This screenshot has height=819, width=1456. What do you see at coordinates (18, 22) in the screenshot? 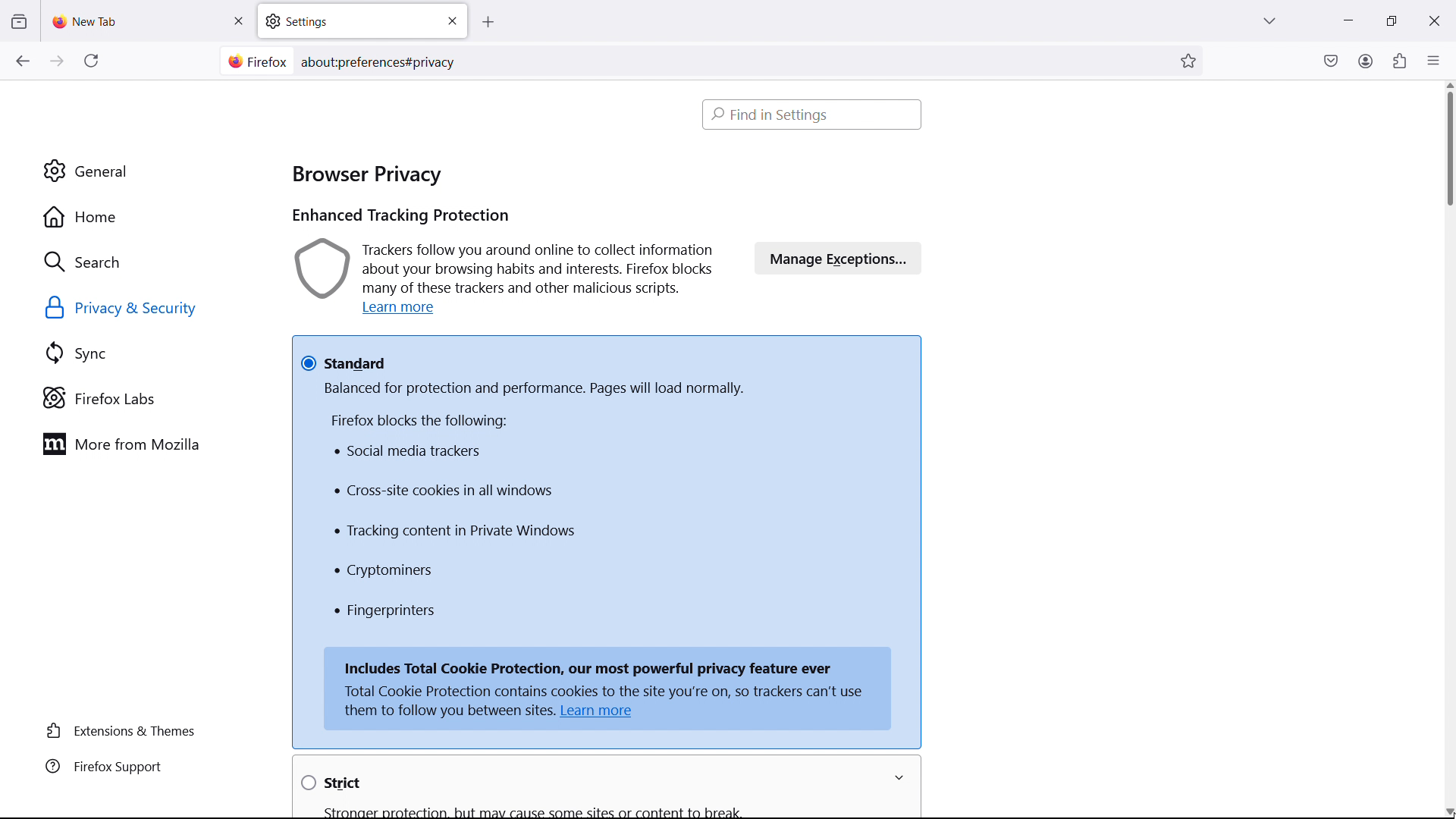
I see `view recent browsing across windows and devices` at bounding box center [18, 22].